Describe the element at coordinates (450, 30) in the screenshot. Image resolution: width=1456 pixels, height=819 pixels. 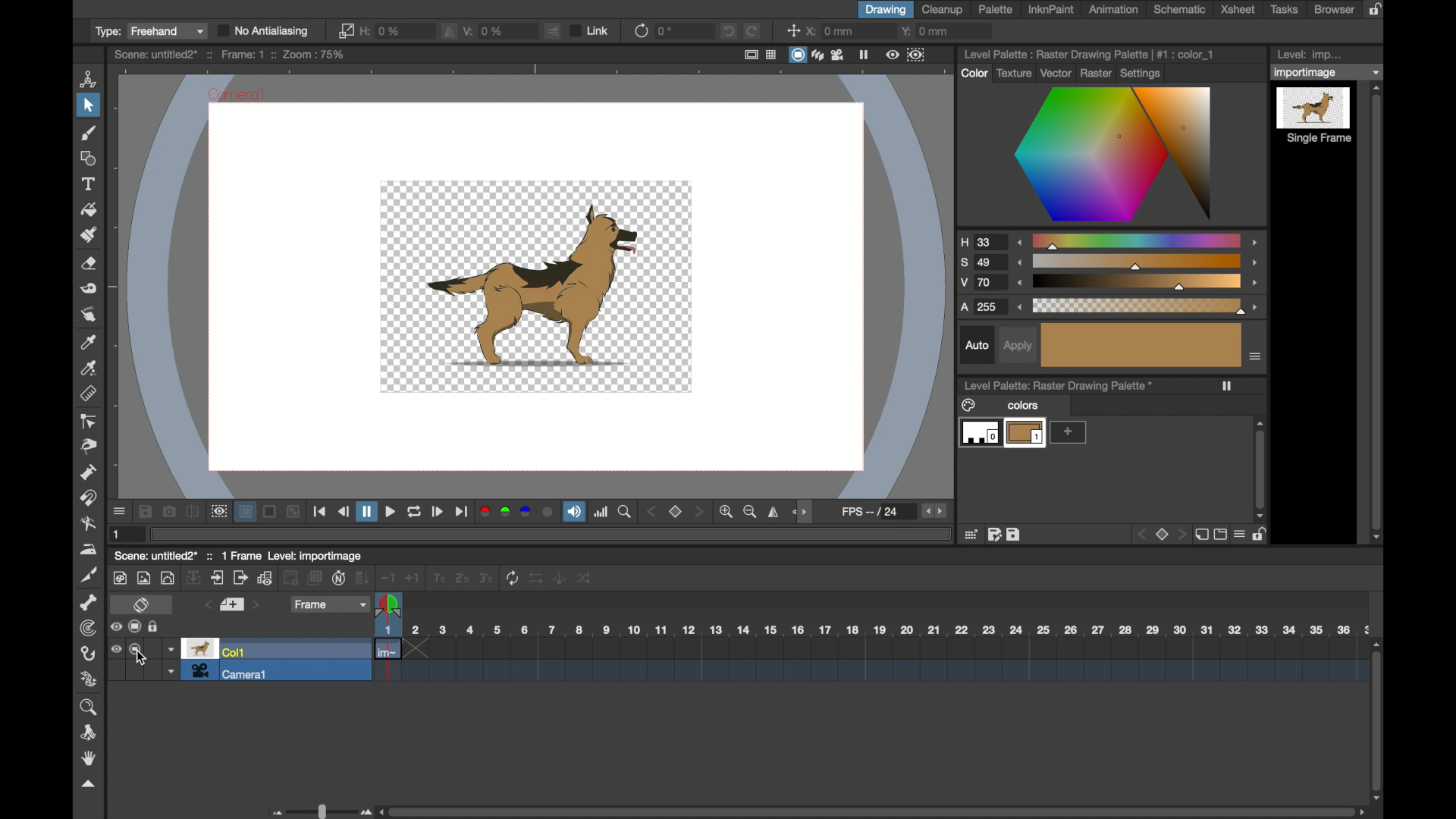
I see `flip horizontally` at that location.